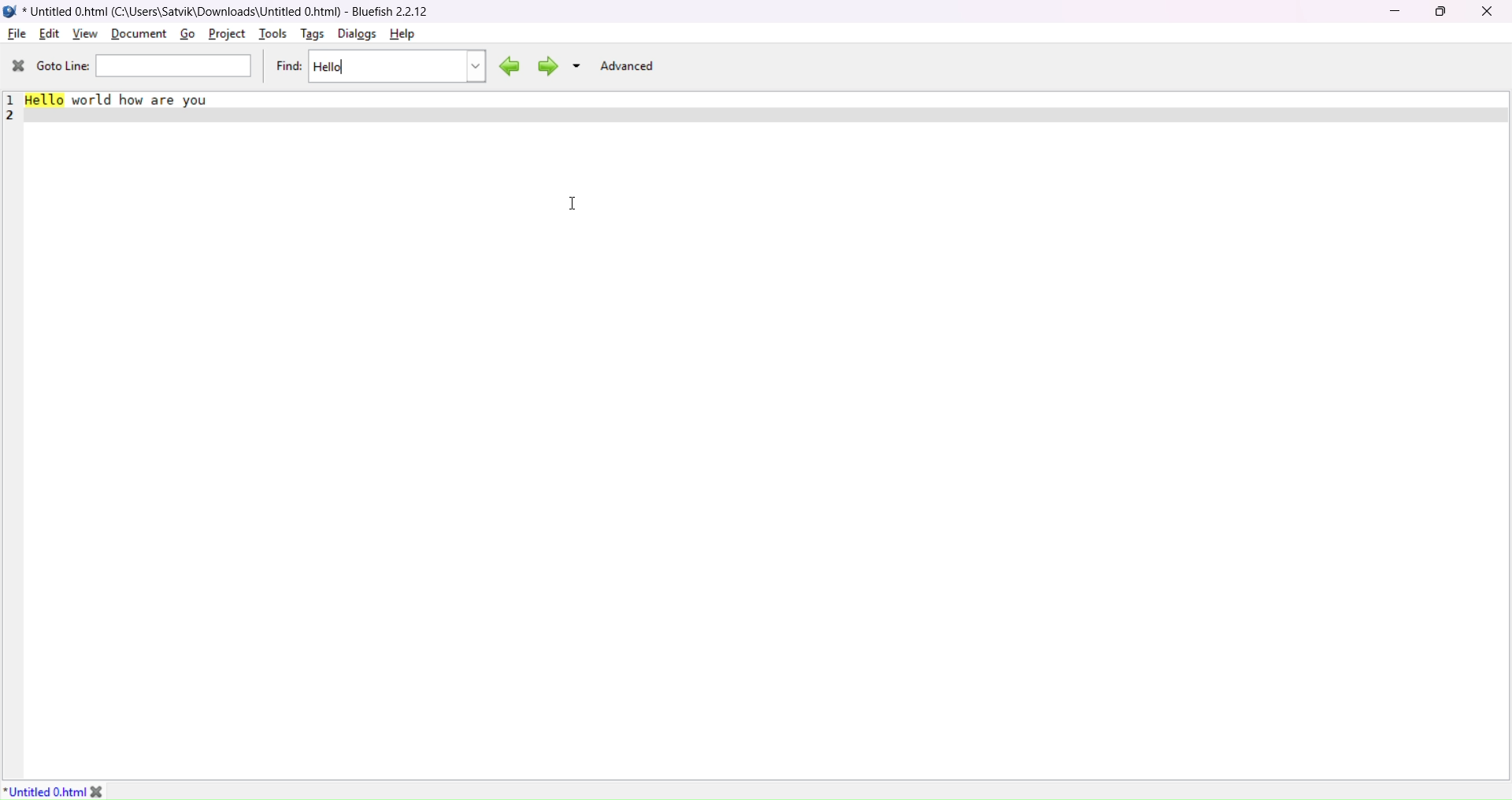 This screenshot has height=800, width=1512. I want to click on close, so click(1487, 12).